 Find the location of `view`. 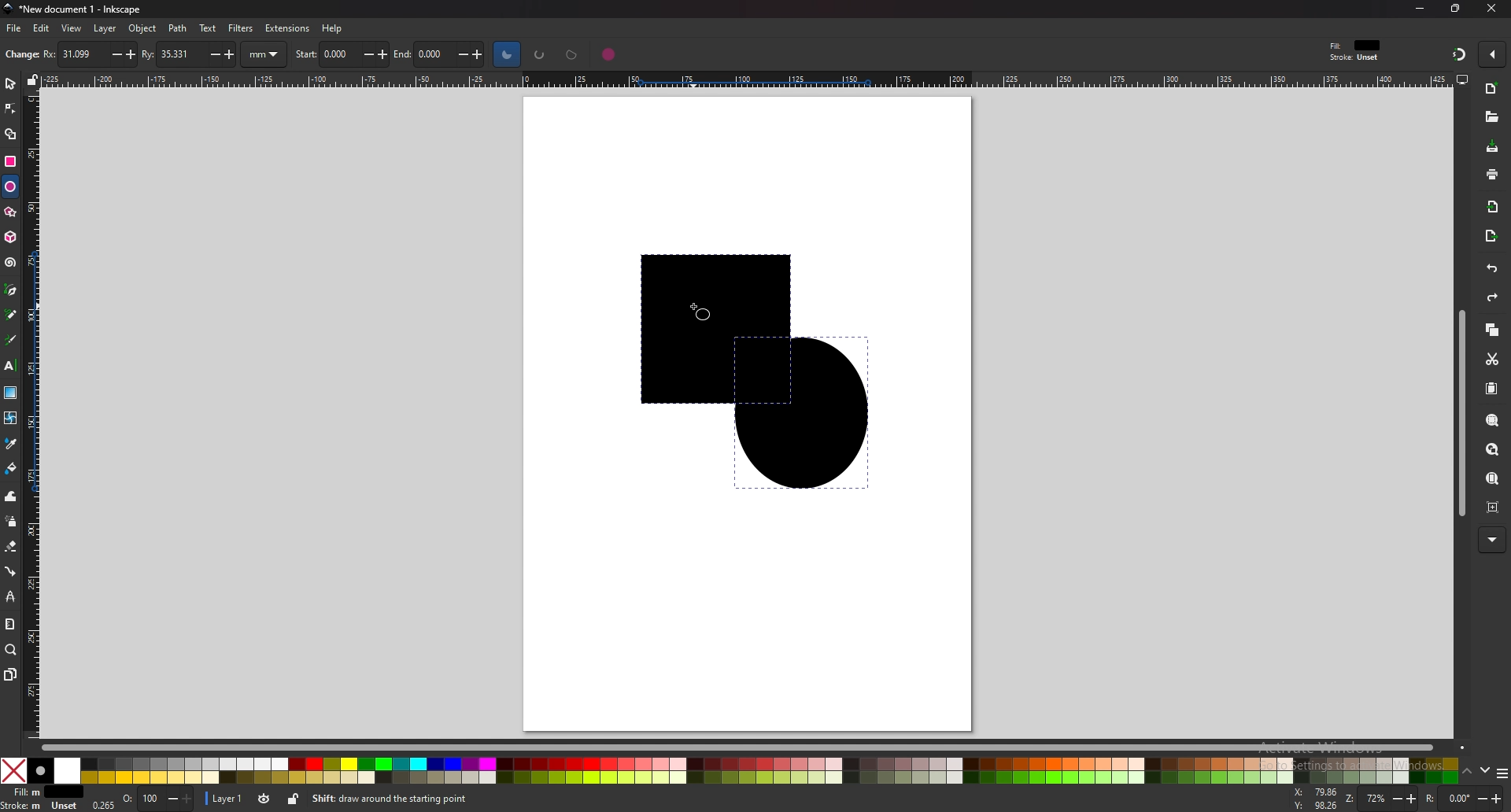

view is located at coordinates (72, 28).